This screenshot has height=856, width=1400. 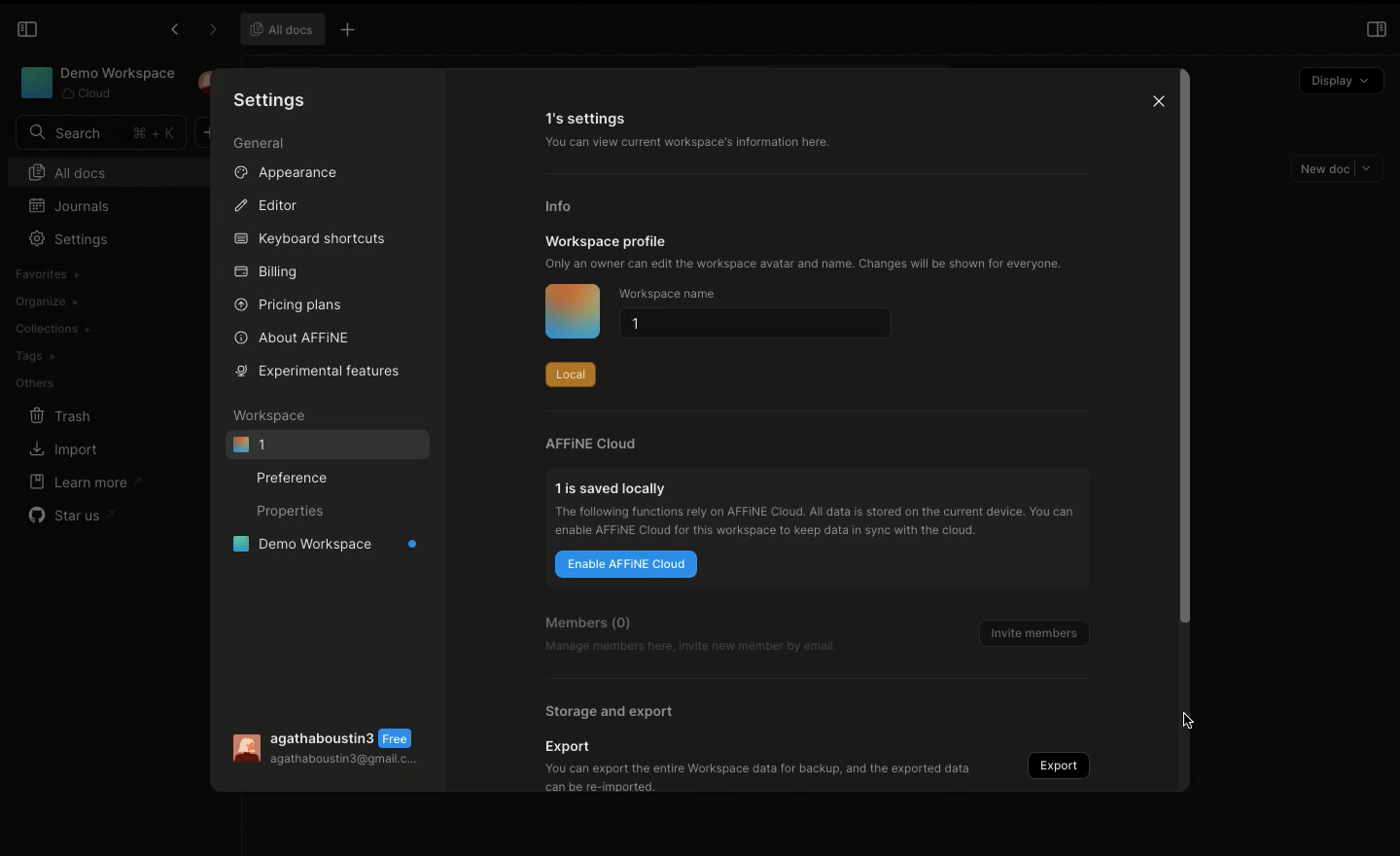 I want to click on Only an owner can edit the workspace avatar and name. Changes will be shown for everyone., so click(x=802, y=265).